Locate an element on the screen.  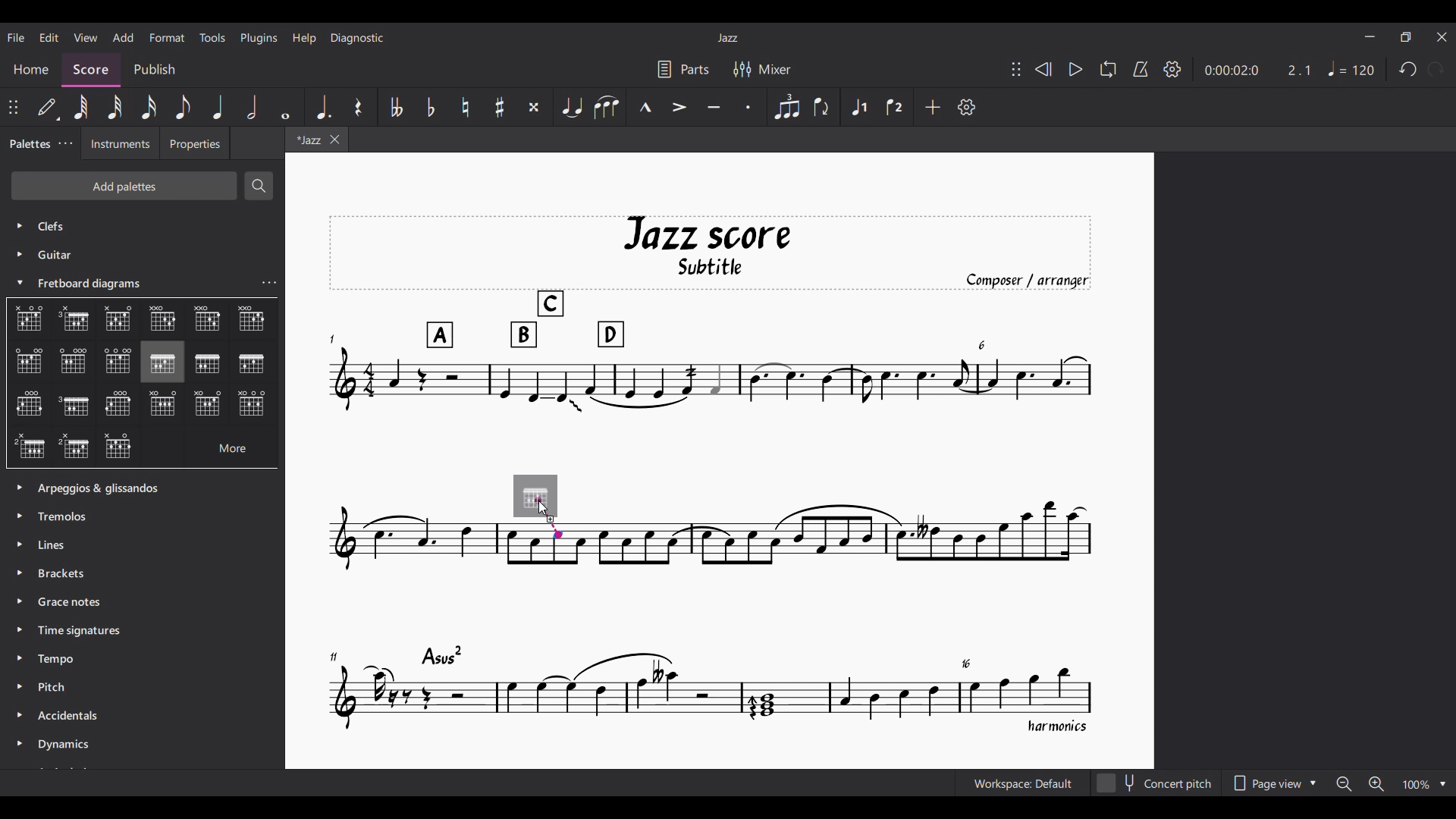
Score, current section highlighted is located at coordinates (92, 67).